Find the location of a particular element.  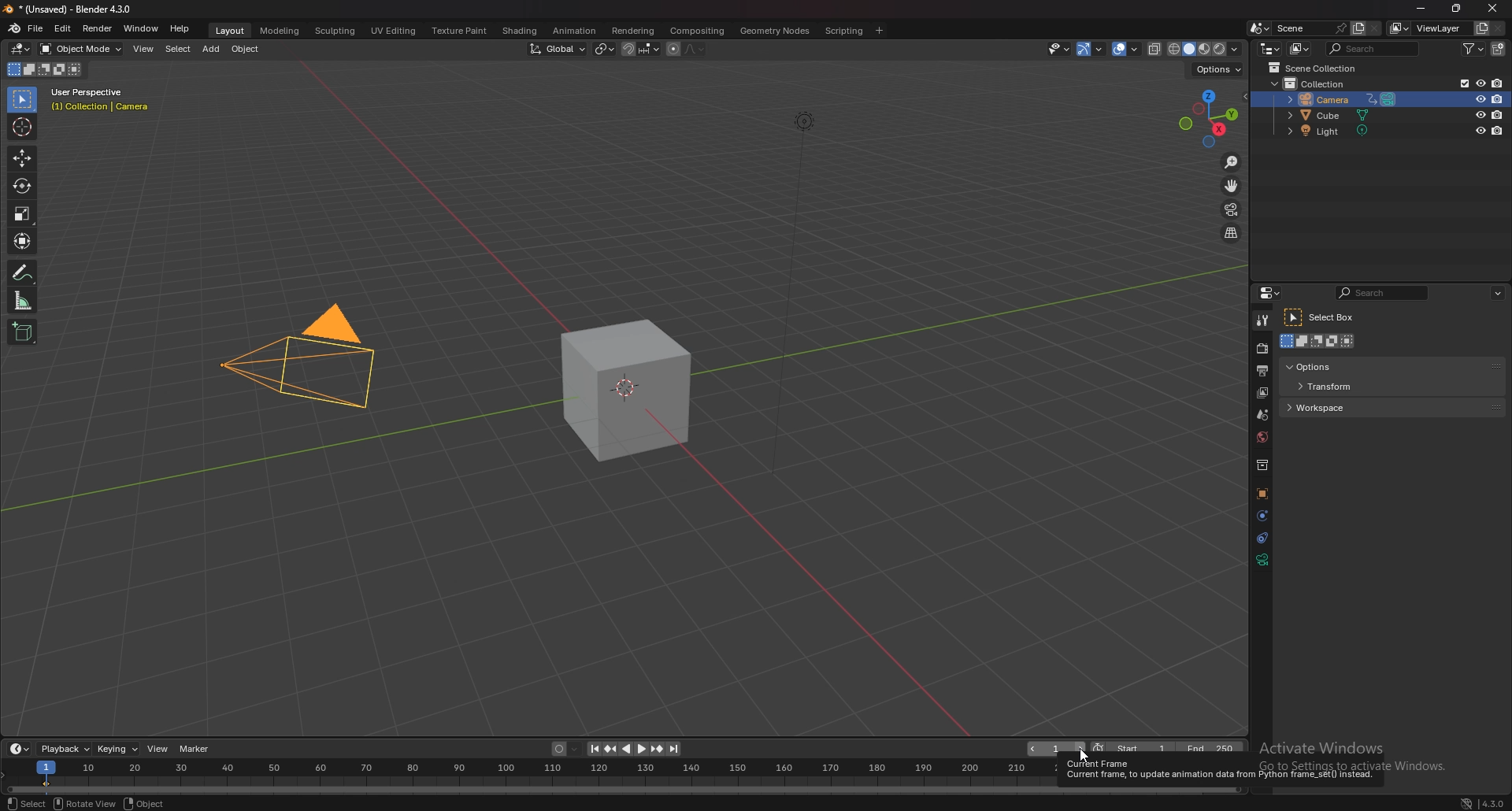

4.3.0 is located at coordinates (1484, 802).